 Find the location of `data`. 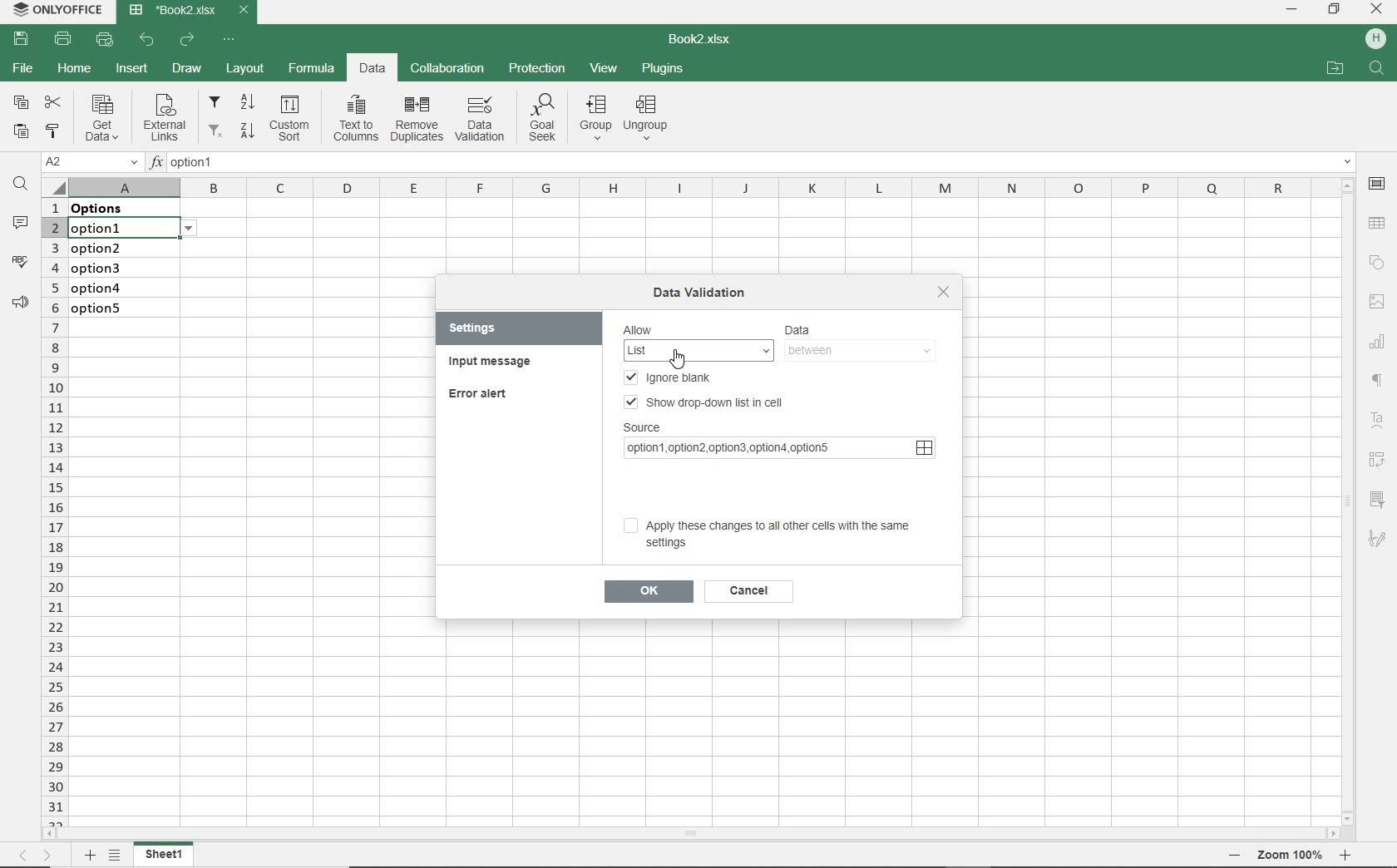

data is located at coordinates (110, 208).